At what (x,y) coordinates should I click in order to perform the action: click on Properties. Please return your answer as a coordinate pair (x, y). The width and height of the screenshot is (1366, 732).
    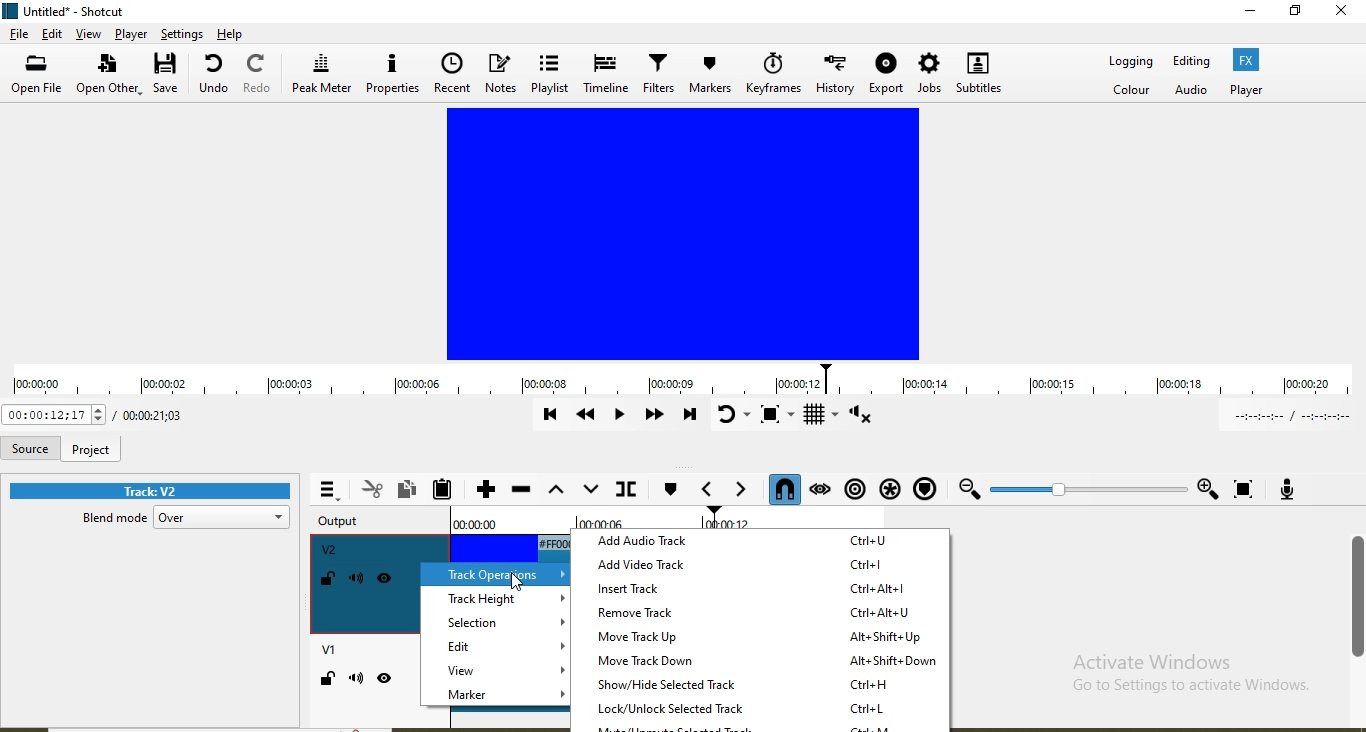
    Looking at the image, I should click on (391, 74).